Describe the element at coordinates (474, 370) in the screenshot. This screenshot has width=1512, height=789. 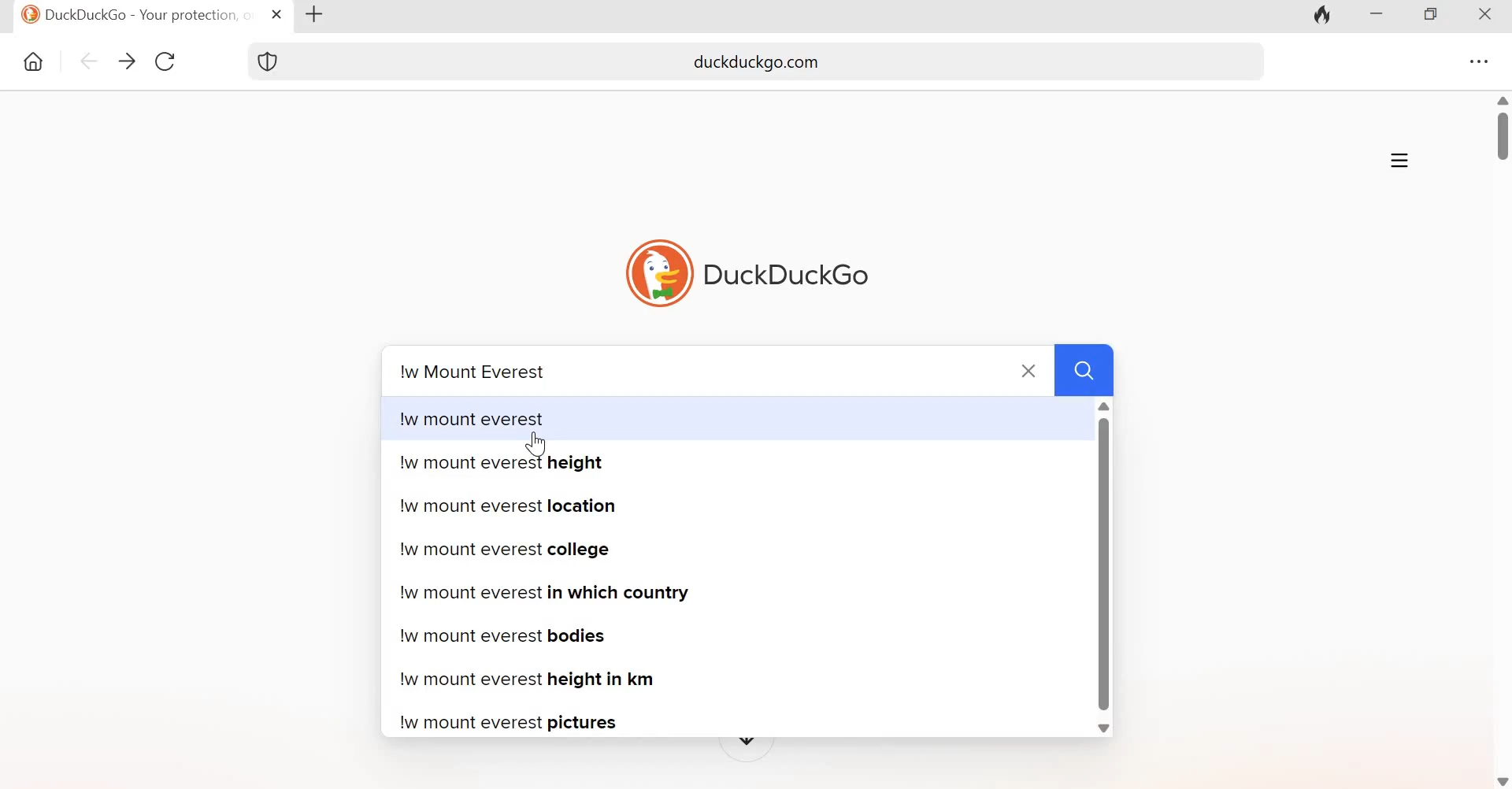
I see `!w Mount Everest` at that location.